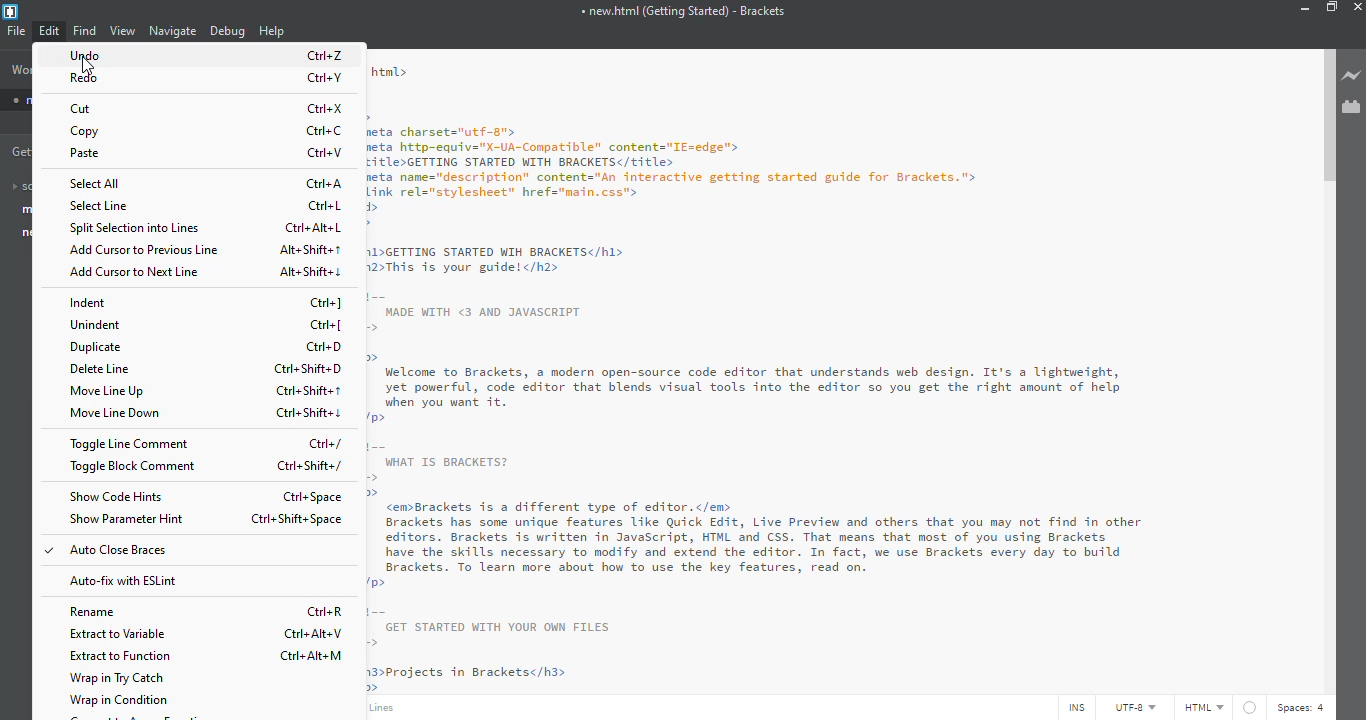 The height and width of the screenshot is (720, 1366). What do you see at coordinates (1136, 708) in the screenshot?
I see `utf-8` at bounding box center [1136, 708].